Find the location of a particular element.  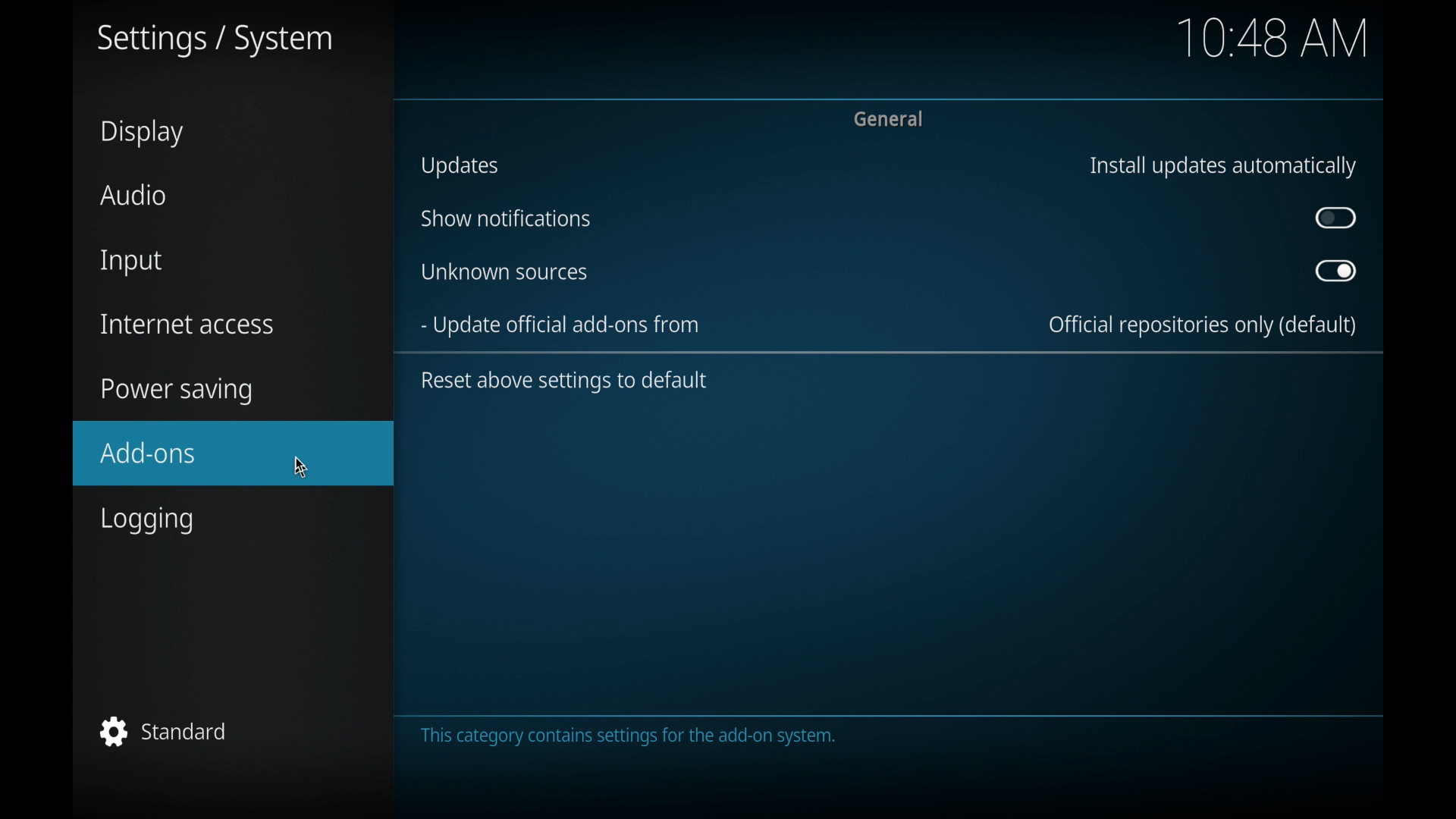

show notifications is located at coordinates (504, 218).